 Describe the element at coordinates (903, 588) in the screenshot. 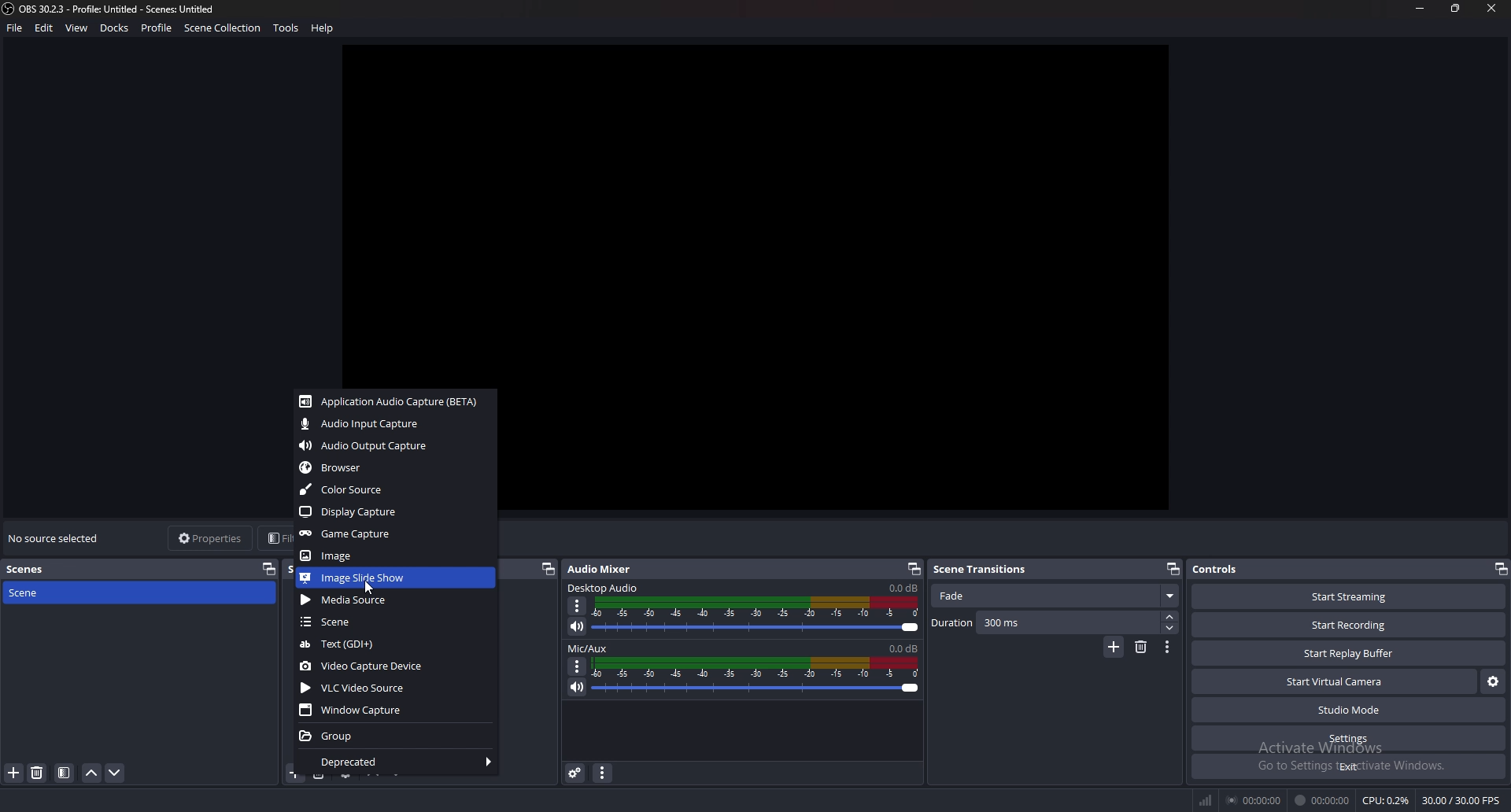

I see `volume level` at that location.